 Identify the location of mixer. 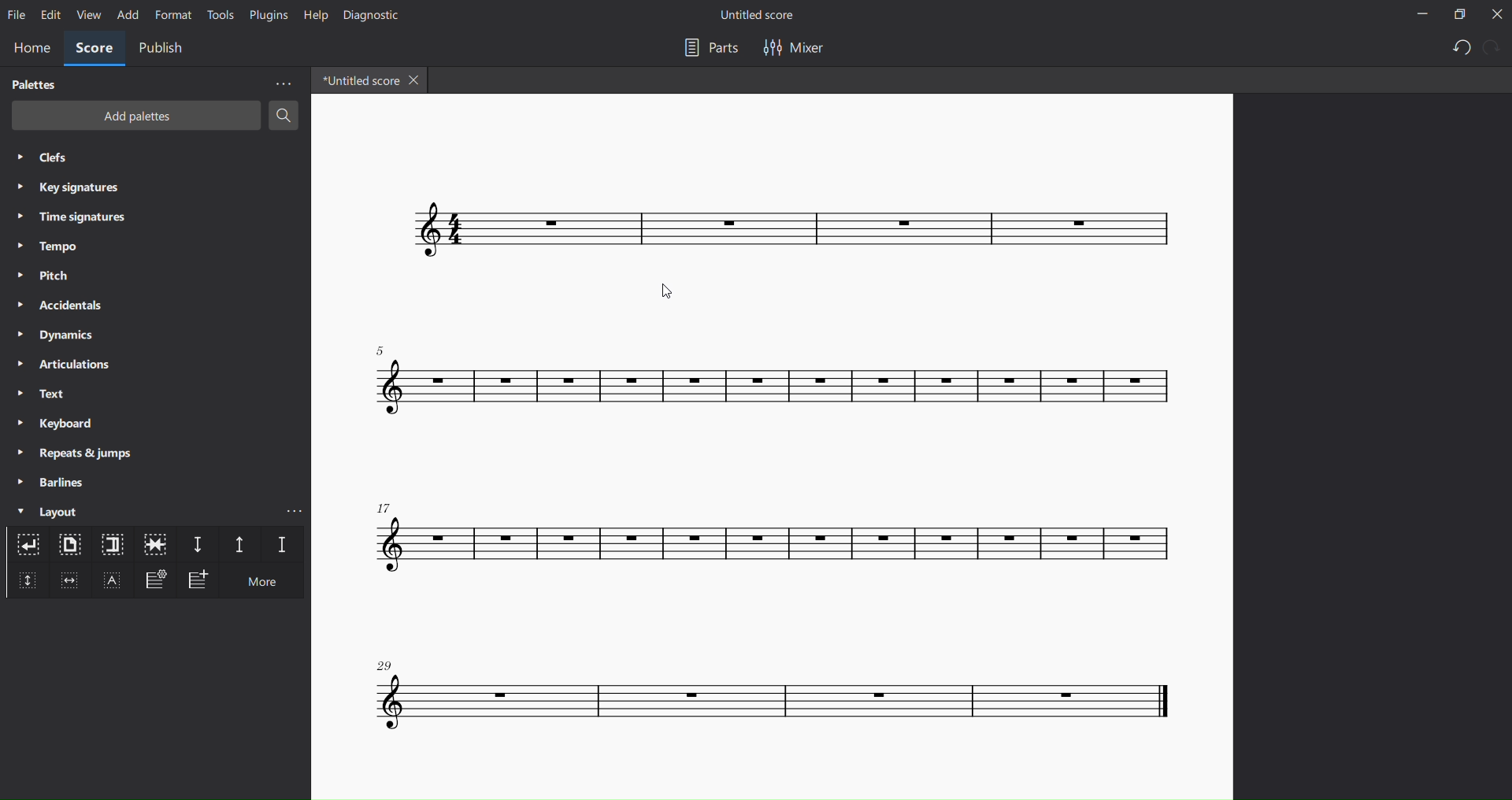
(793, 47).